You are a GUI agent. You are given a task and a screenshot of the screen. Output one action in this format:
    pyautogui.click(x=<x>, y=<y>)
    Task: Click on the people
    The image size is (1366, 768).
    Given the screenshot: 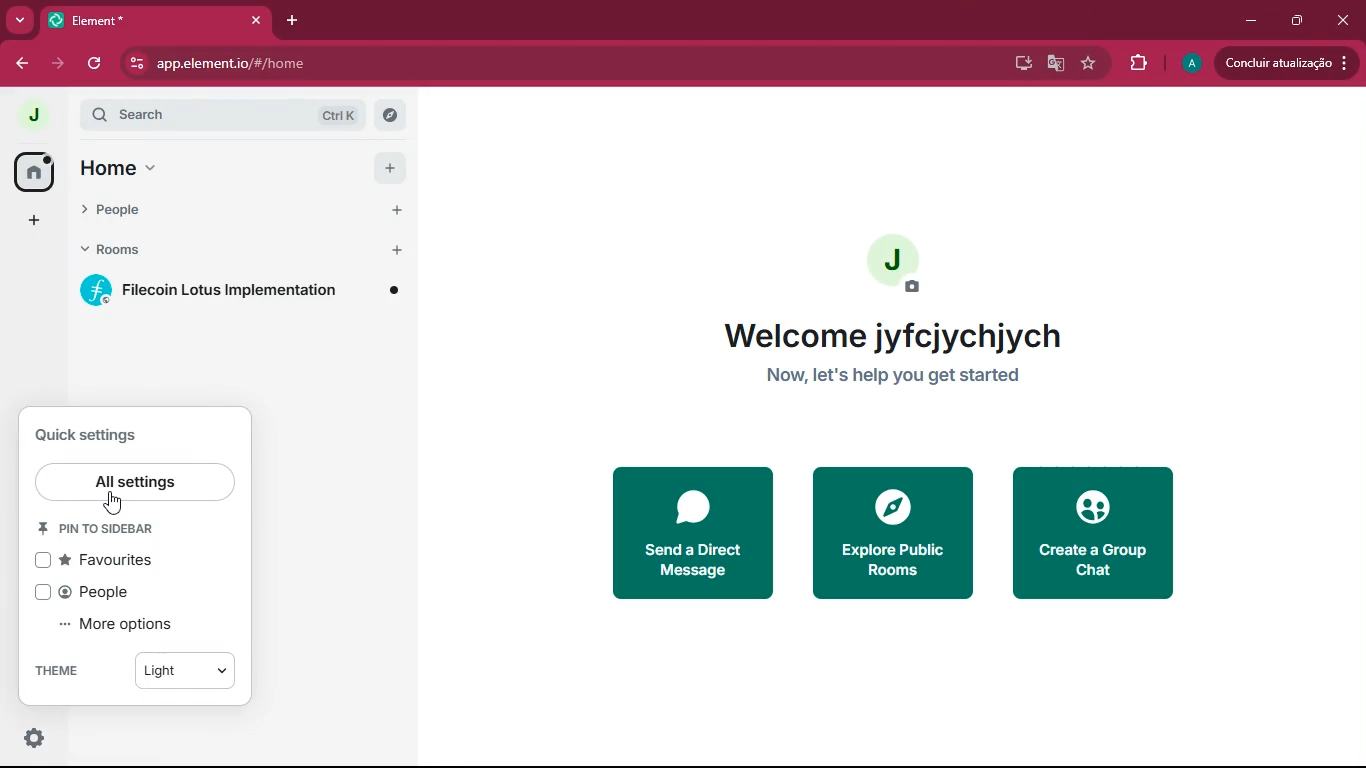 What is the action you would take?
    pyautogui.click(x=118, y=592)
    